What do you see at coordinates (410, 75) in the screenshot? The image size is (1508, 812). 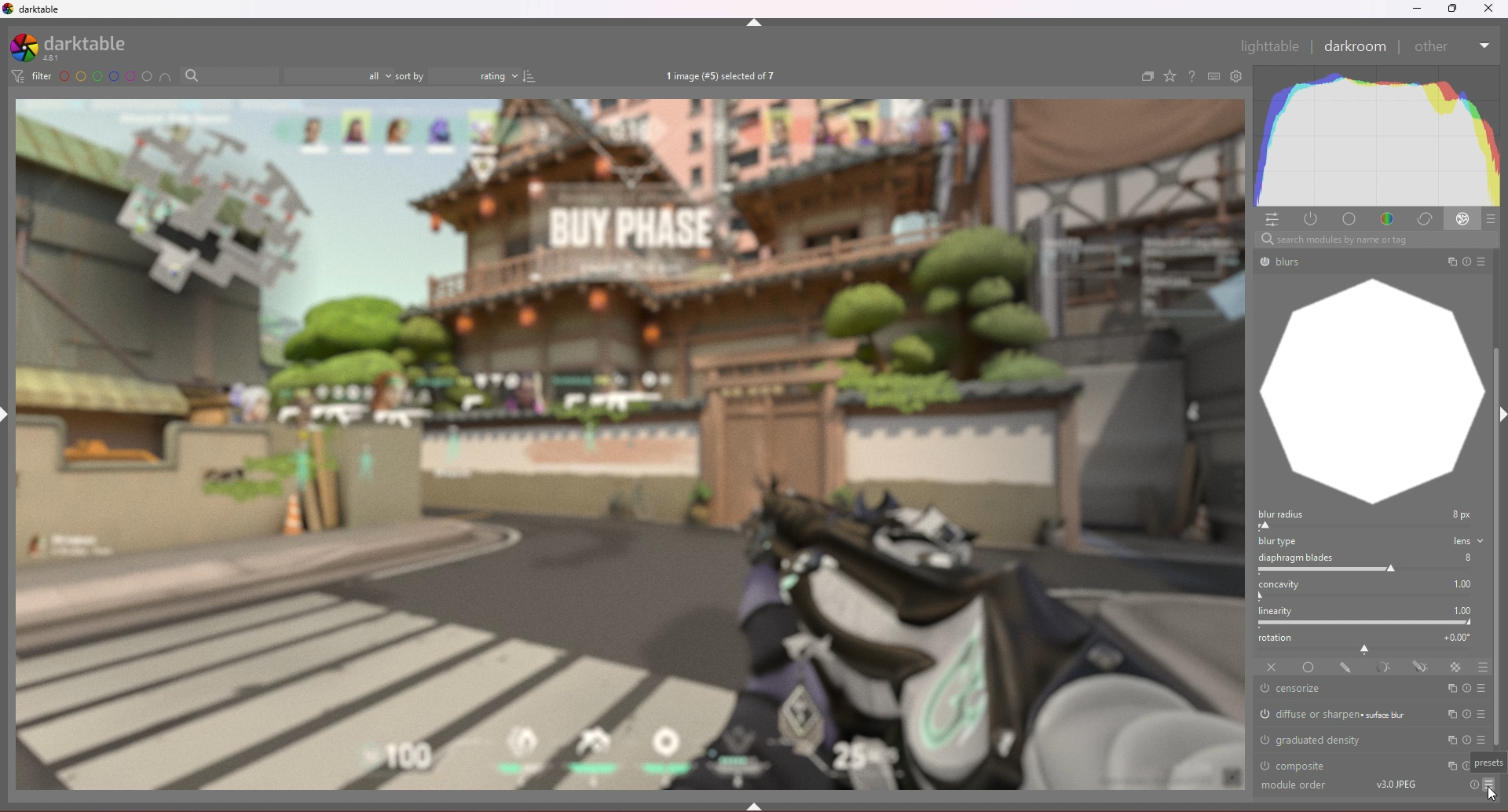 I see `sort by` at bounding box center [410, 75].